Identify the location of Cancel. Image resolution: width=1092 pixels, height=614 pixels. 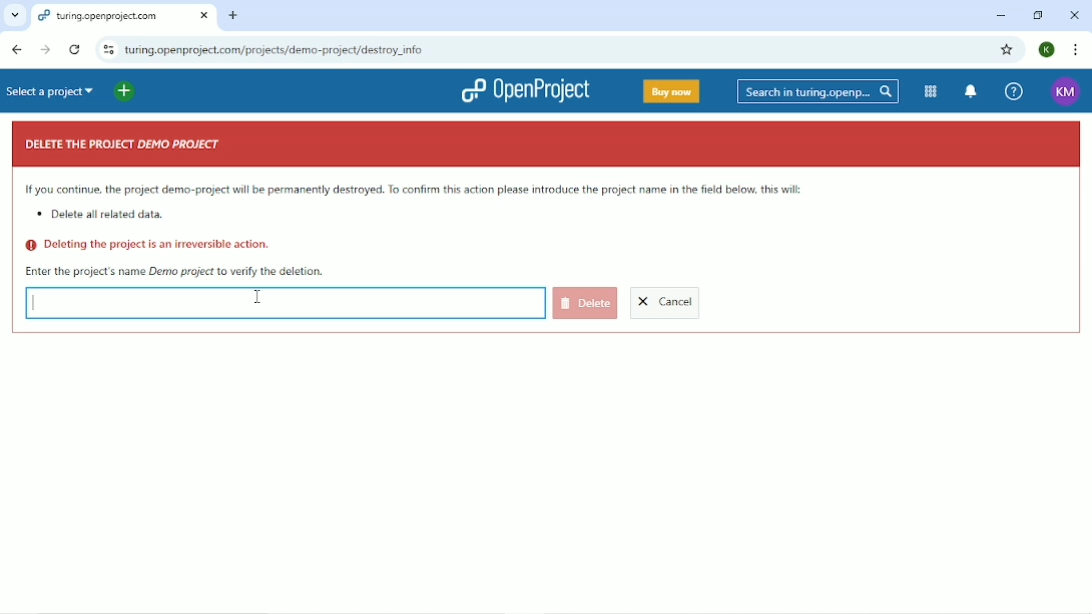
(666, 304).